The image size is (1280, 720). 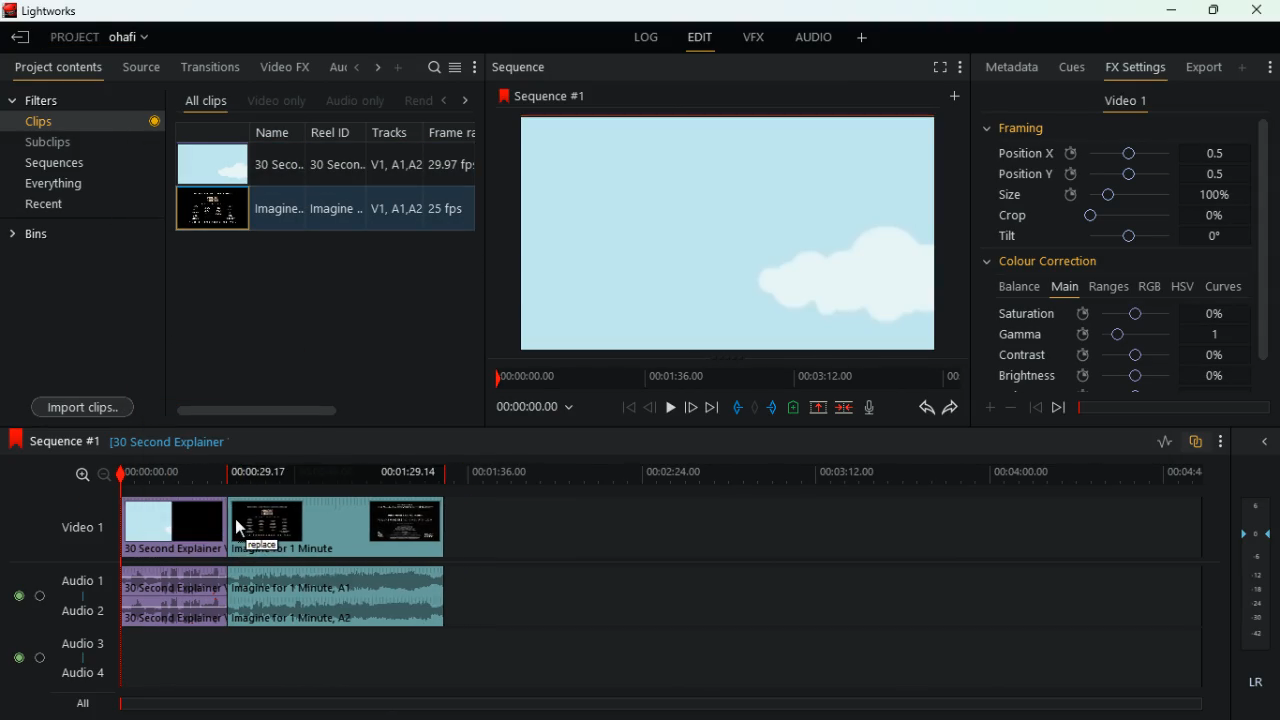 What do you see at coordinates (78, 529) in the screenshot?
I see `video 1` at bounding box center [78, 529].